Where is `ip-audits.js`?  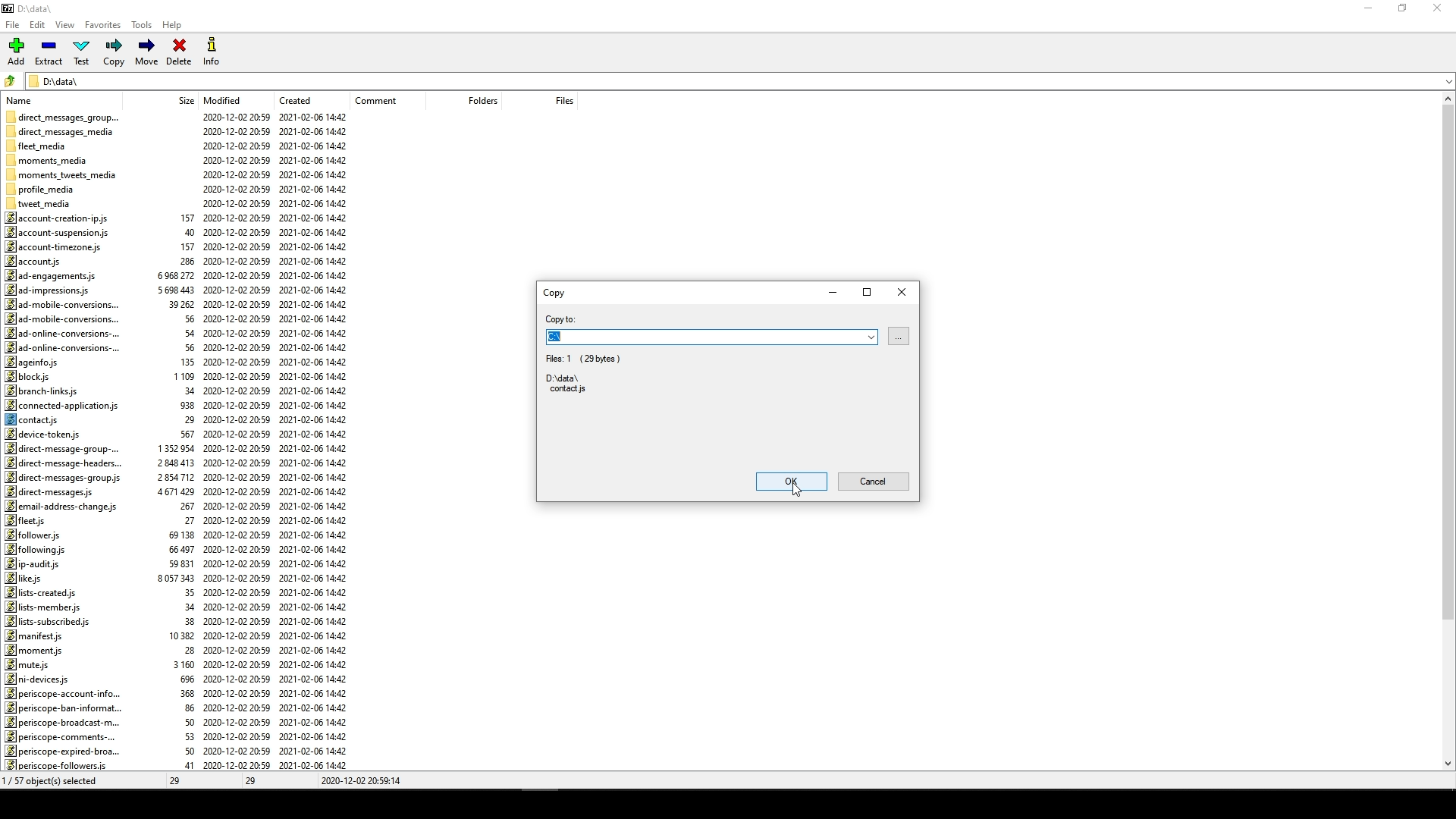 ip-audits.js is located at coordinates (33, 564).